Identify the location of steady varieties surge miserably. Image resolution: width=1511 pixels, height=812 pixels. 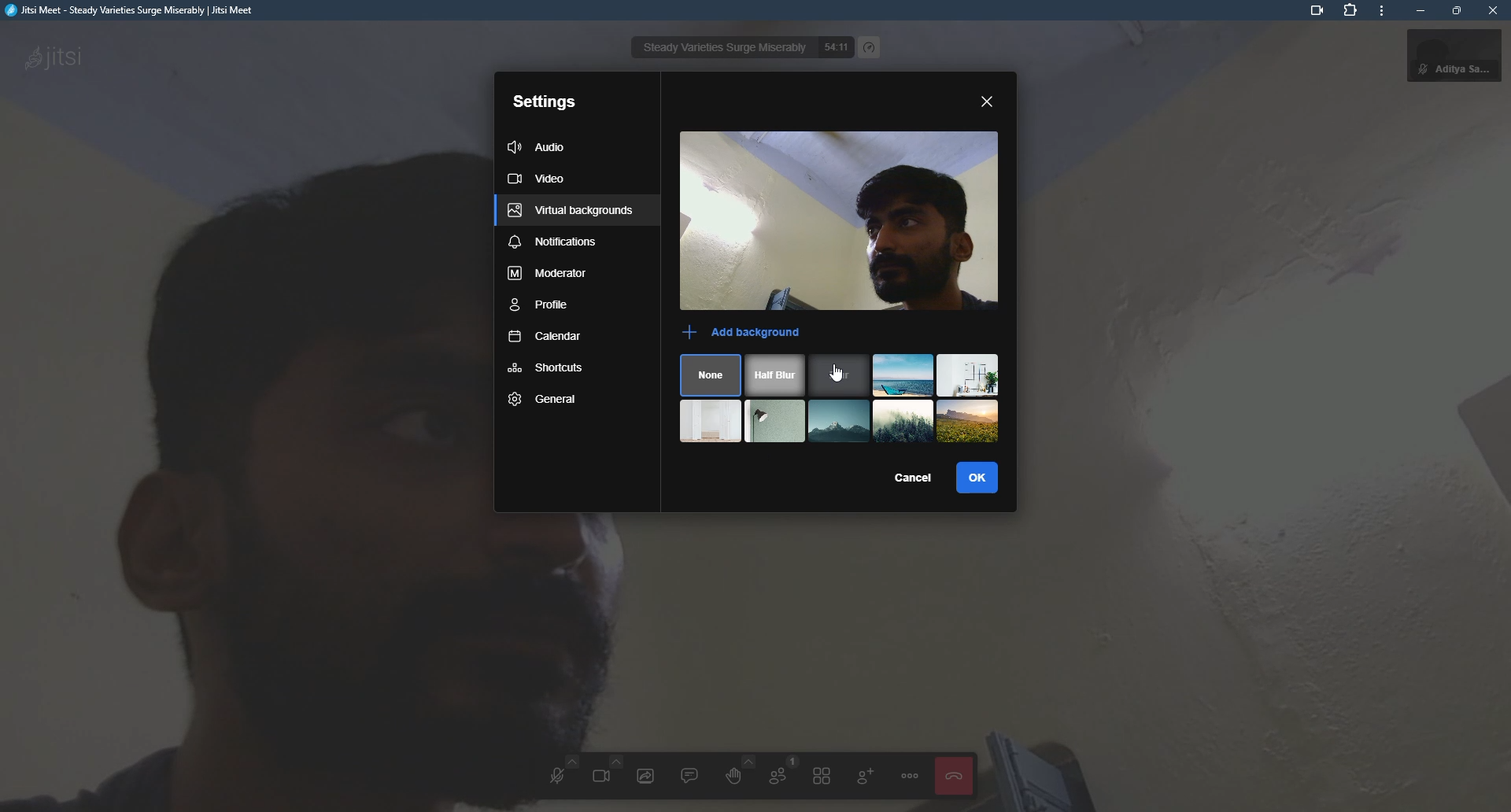
(722, 48).